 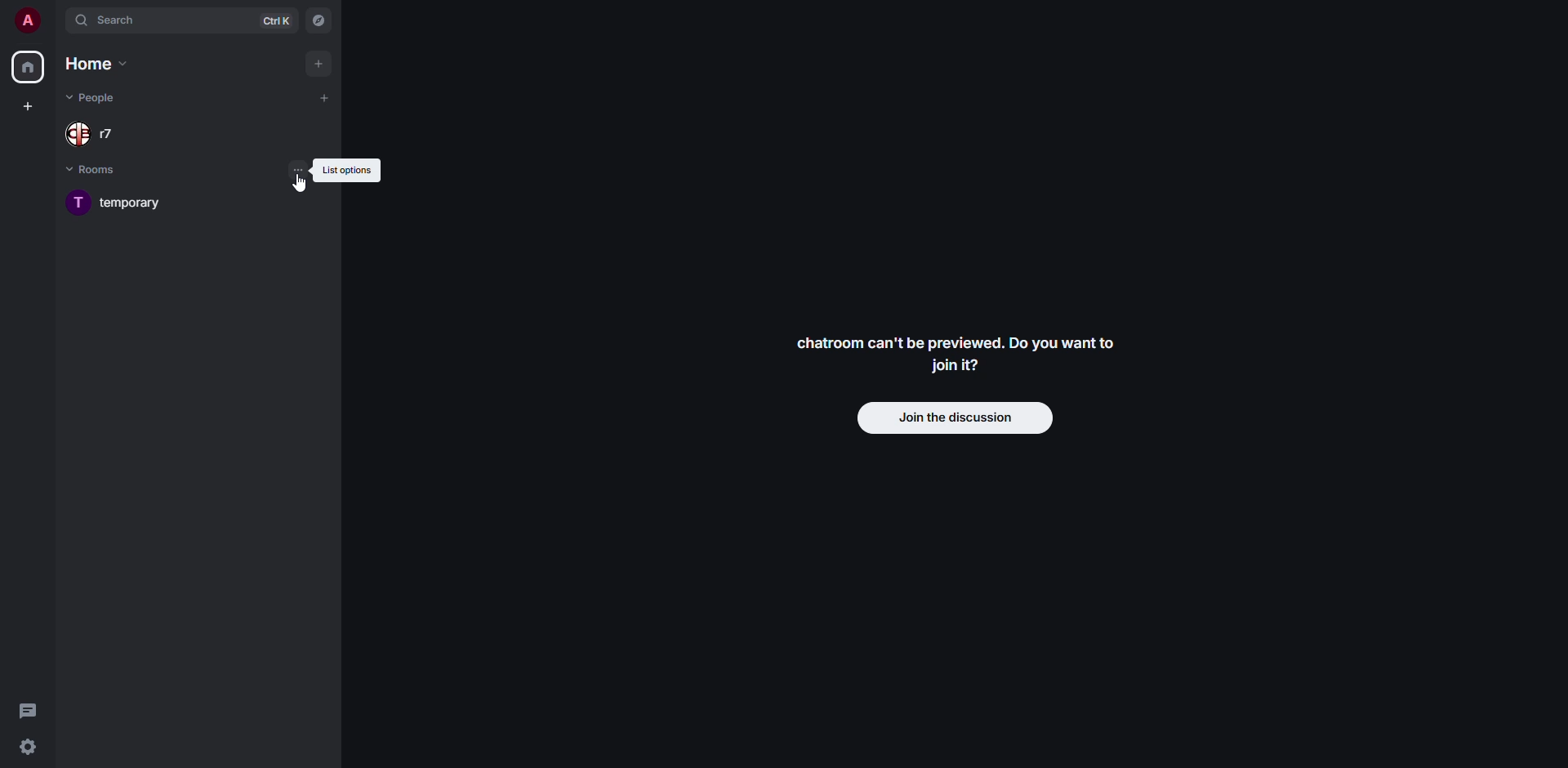 What do you see at coordinates (350, 171) in the screenshot?
I see `list options` at bounding box center [350, 171].